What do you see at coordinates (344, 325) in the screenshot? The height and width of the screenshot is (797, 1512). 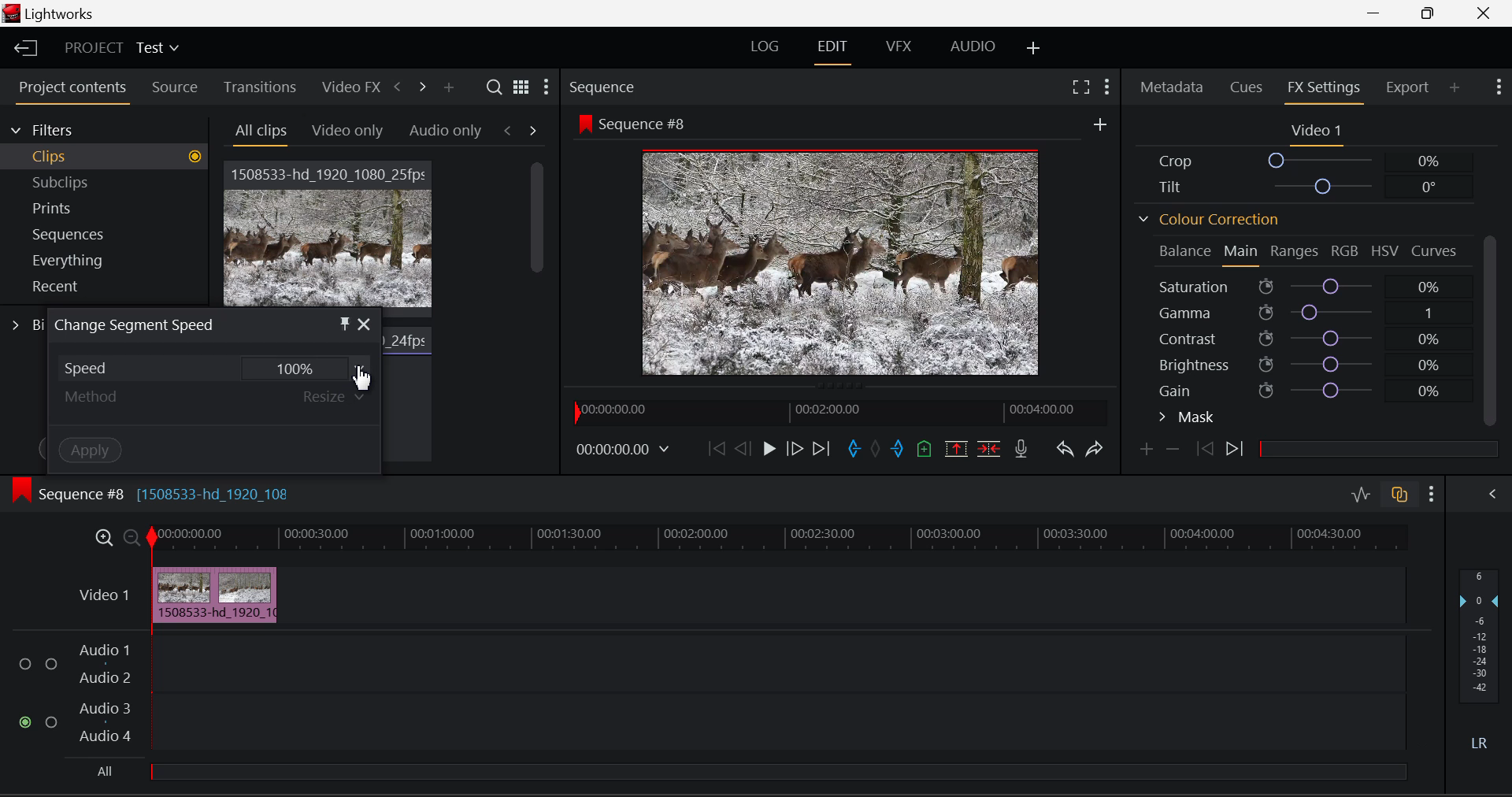 I see `Pin Object` at bounding box center [344, 325].